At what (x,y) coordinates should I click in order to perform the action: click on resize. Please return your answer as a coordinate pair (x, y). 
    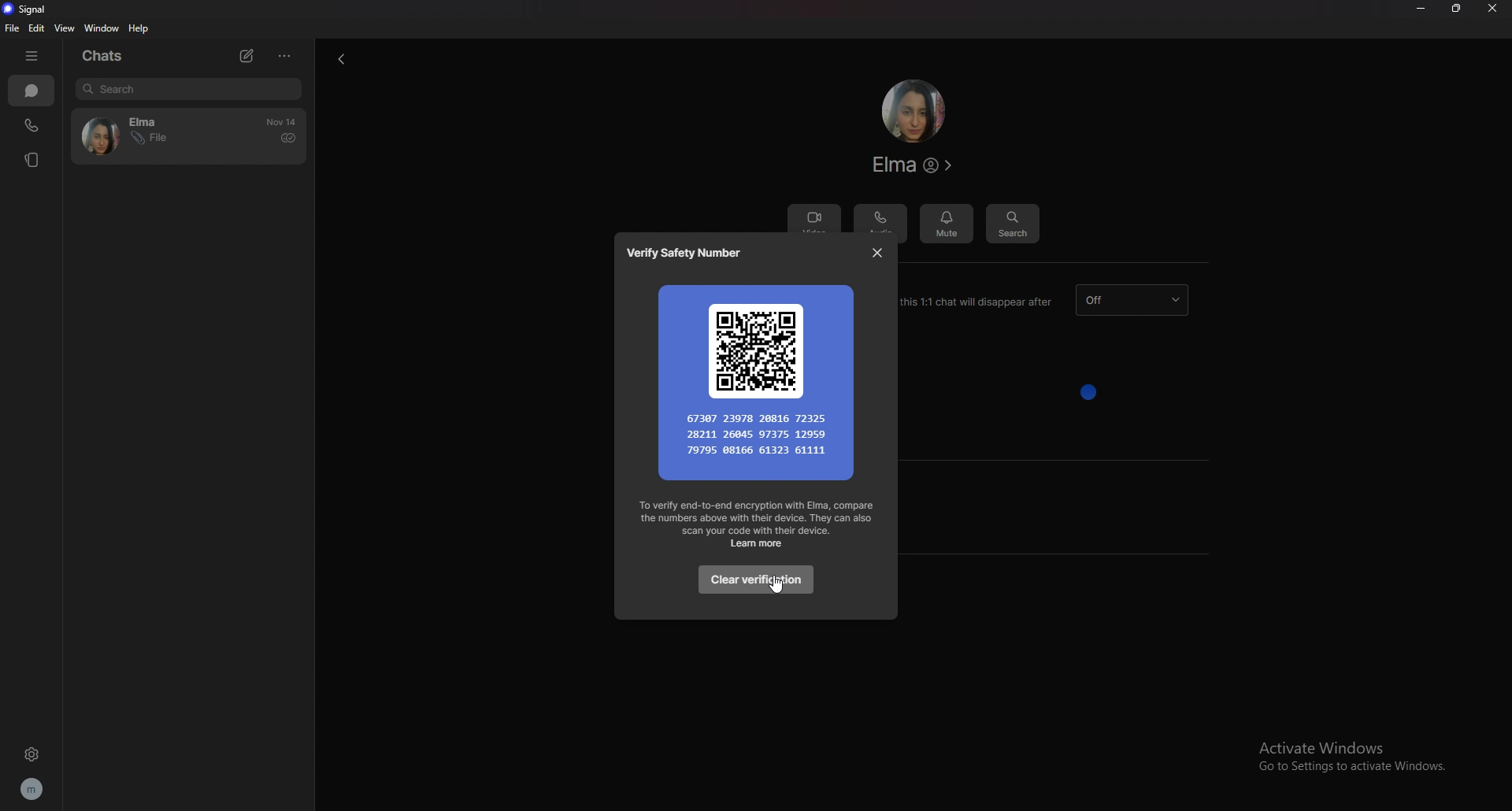
    Looking at the image, I should click on (1456, 9).